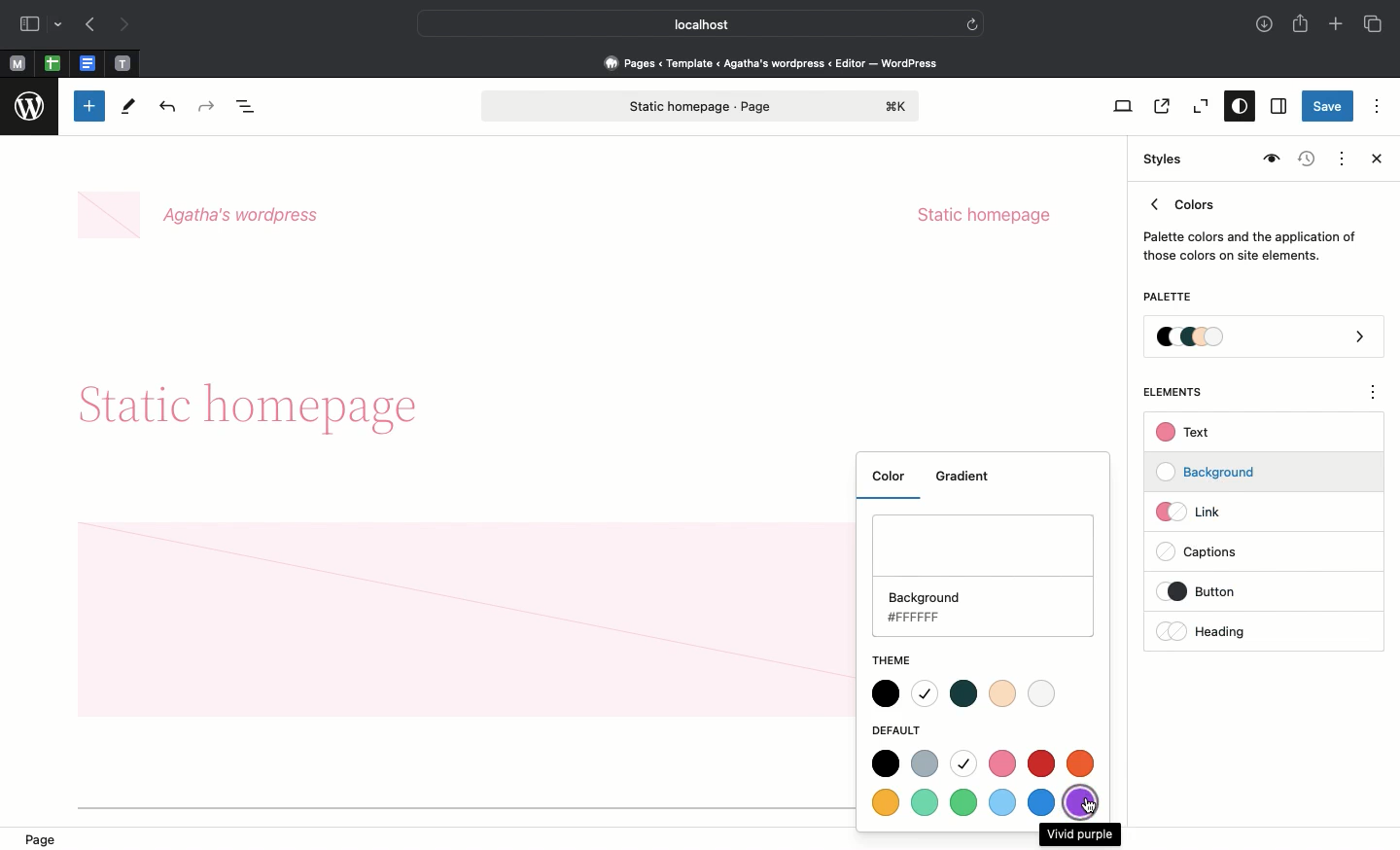 Image resolution: width=1400 pixels, height=850 pixels. Describe the element at coordinates (1374, 395) in the screenshot. I see `options` at that location.